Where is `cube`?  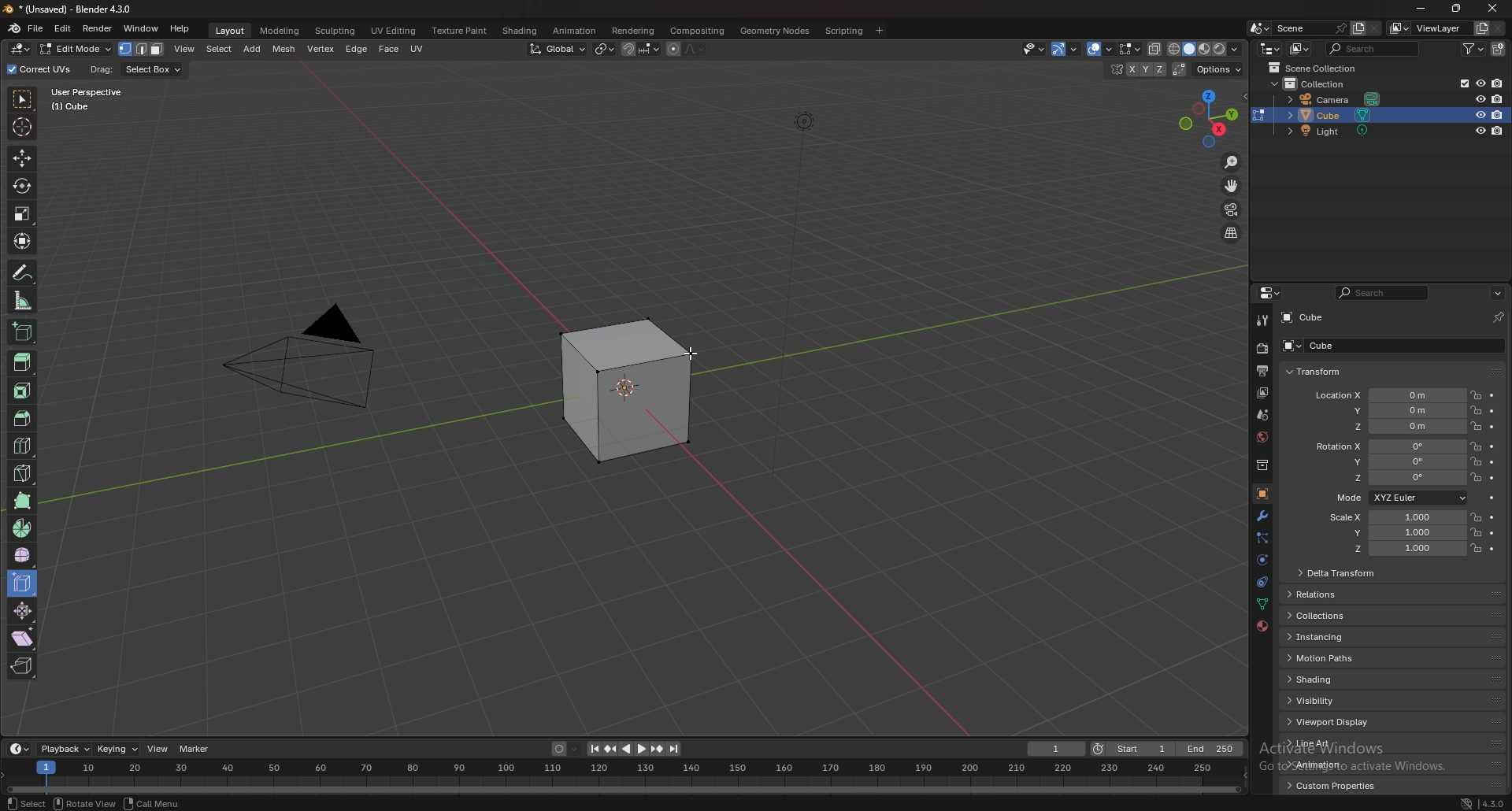
cube is located at coordinates (617, 388).